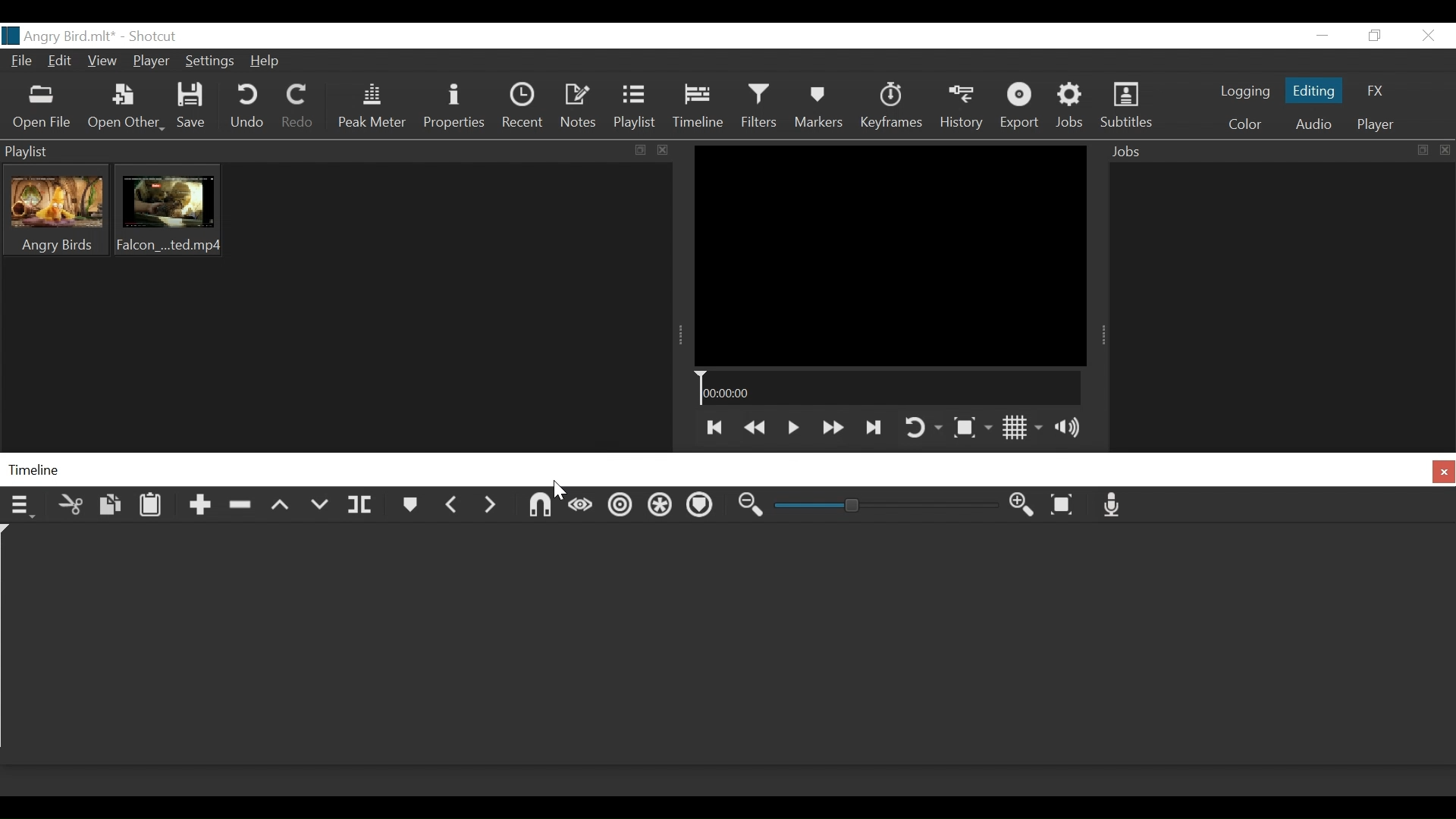  Describe the element at coordinates (1313, 89) in the screenshot. I see `Editing` at that location.